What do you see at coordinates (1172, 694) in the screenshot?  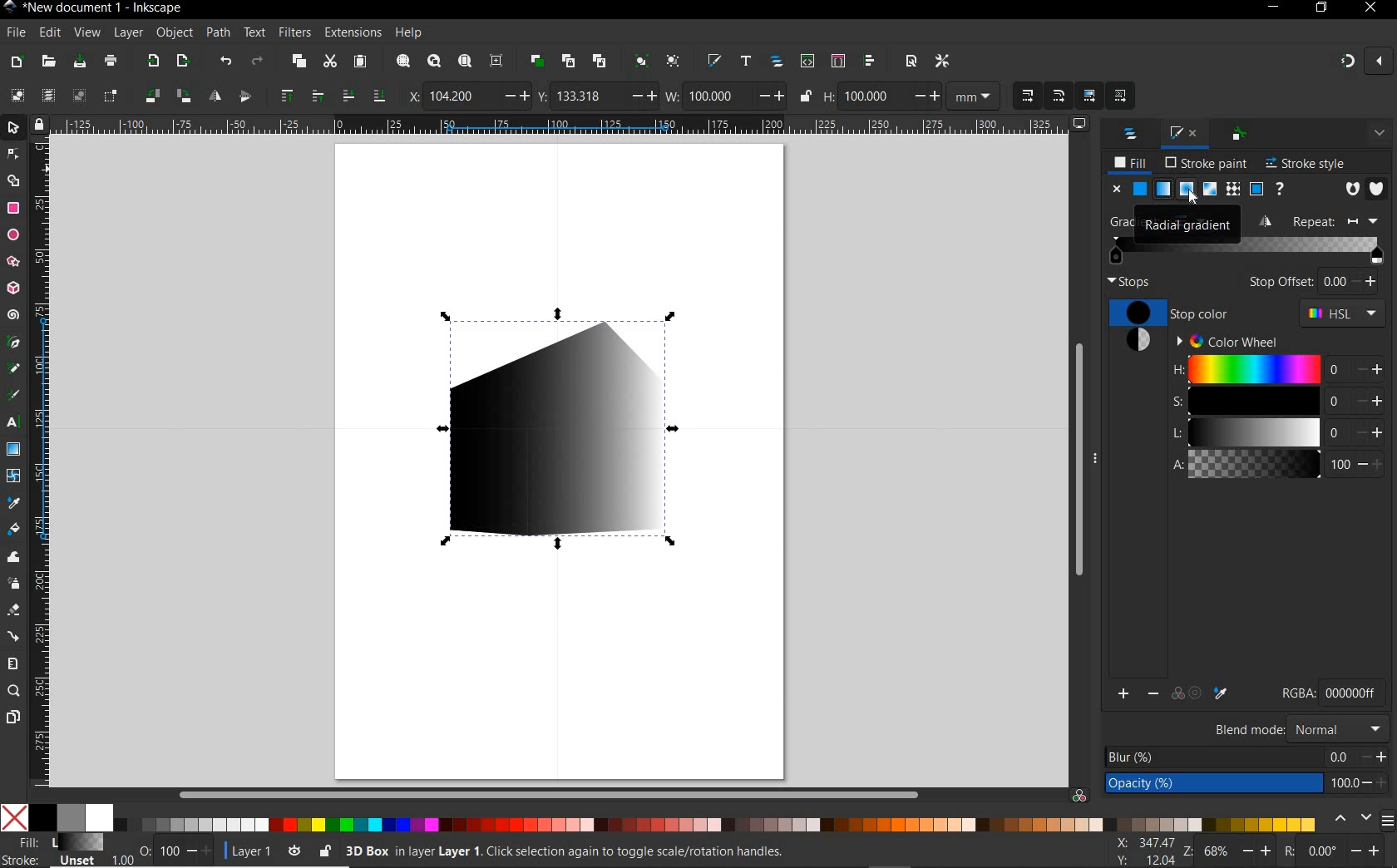 I see `color icons` at bounding box center [1172, 694].